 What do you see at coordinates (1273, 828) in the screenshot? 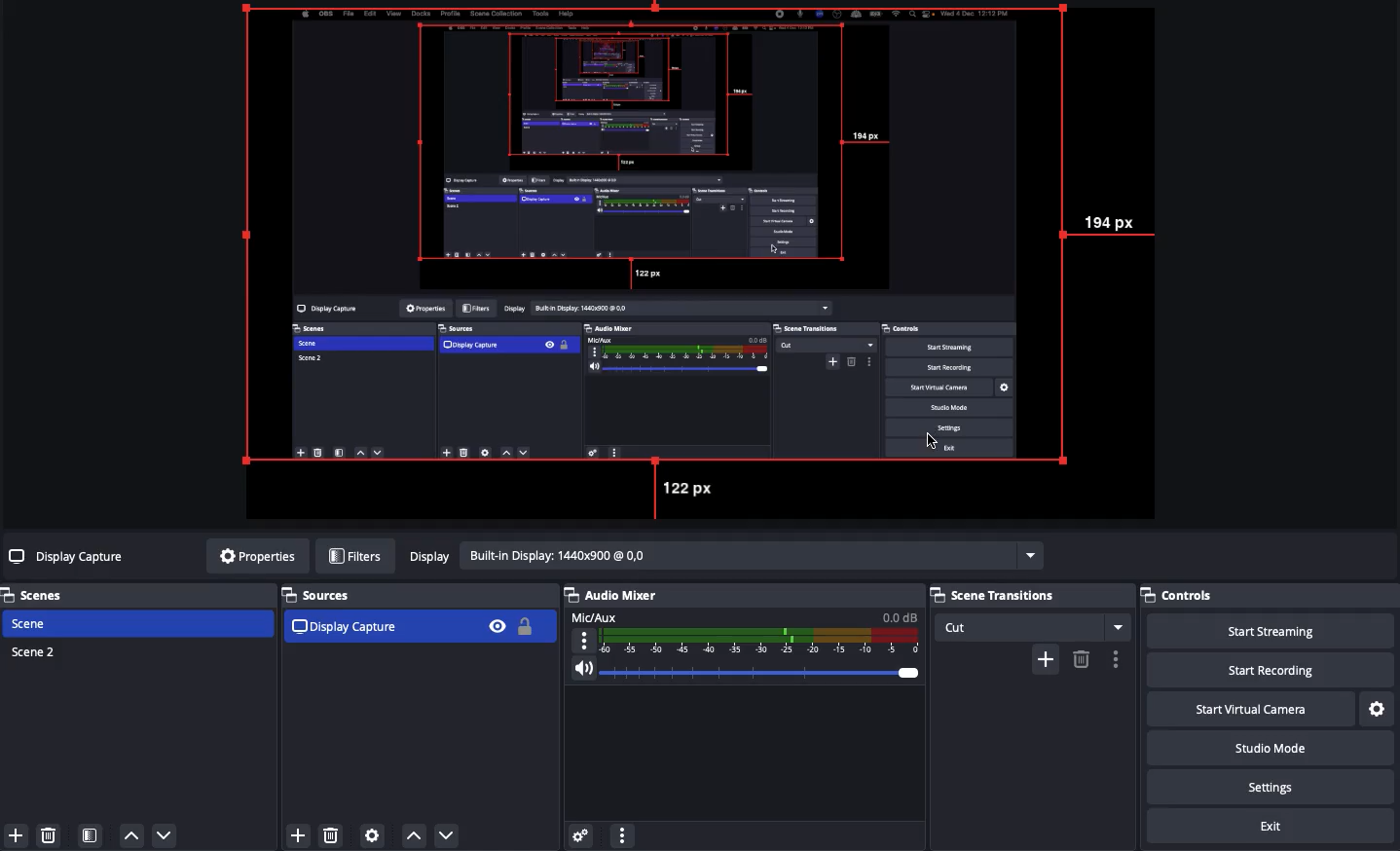
I see `Exit` at bounding box center [1273, 828].